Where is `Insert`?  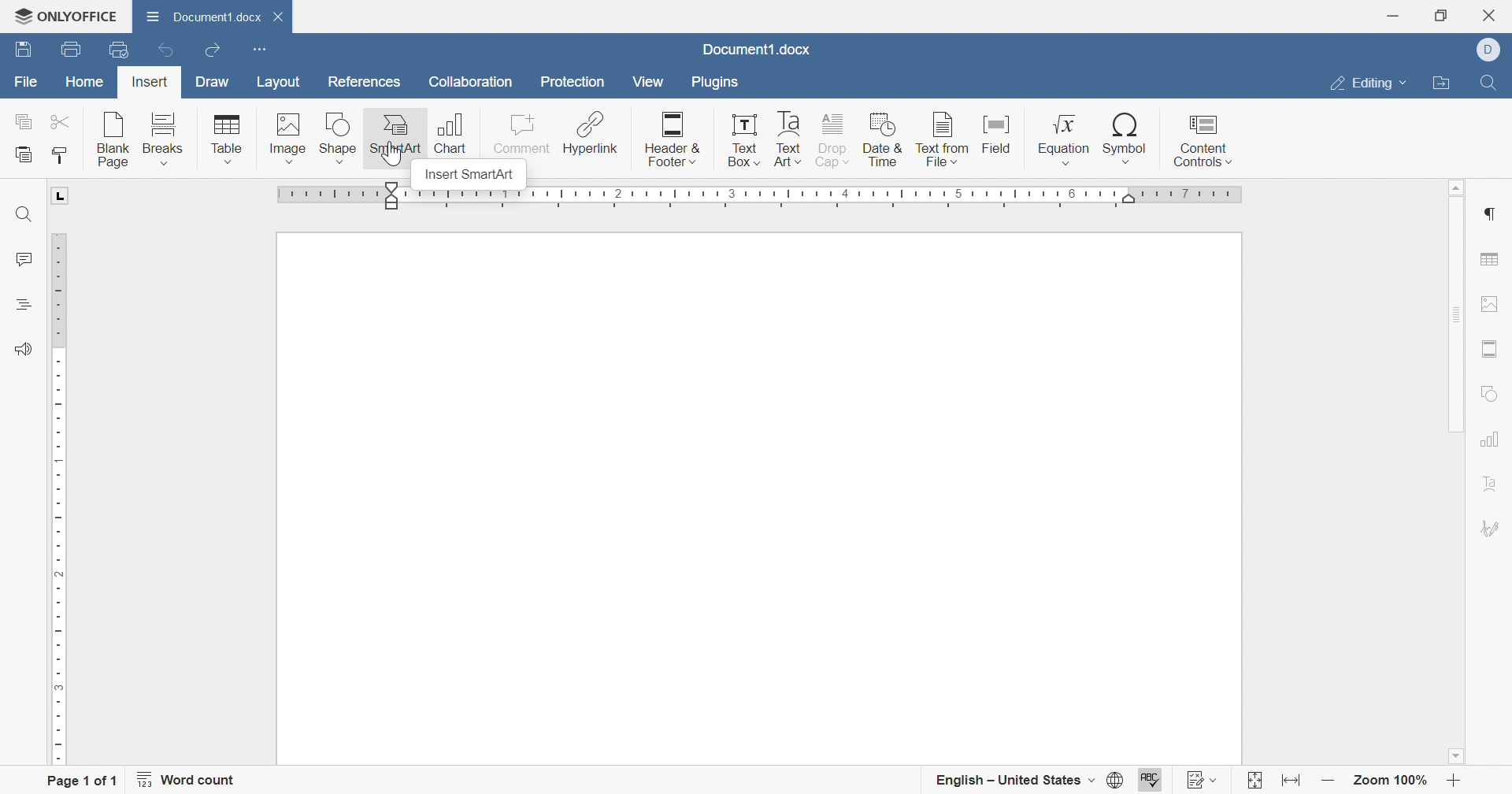
Insert is located at coordinates (150, 83).